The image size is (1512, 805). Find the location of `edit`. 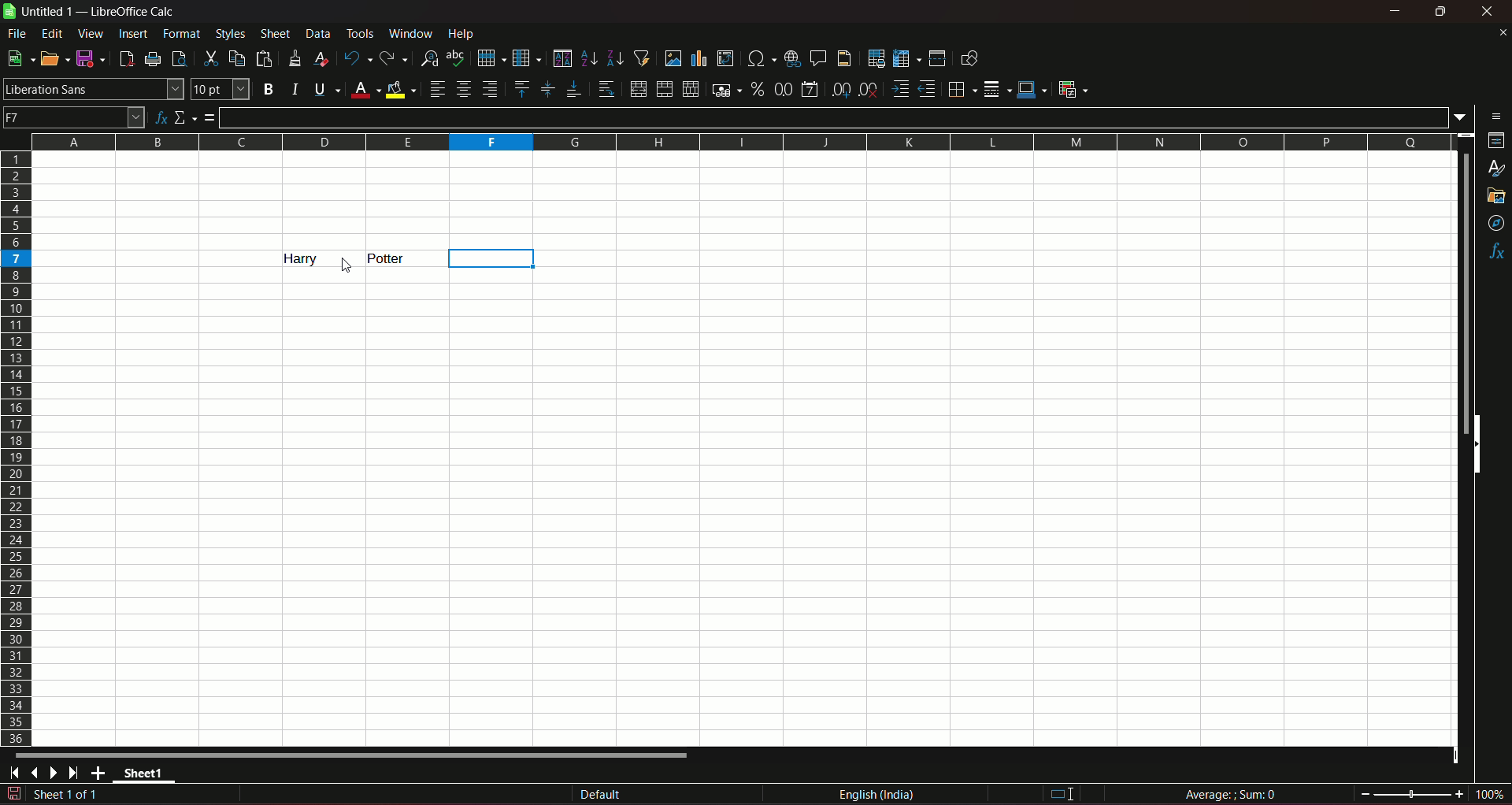

edit is located at coordinates (53, 33).